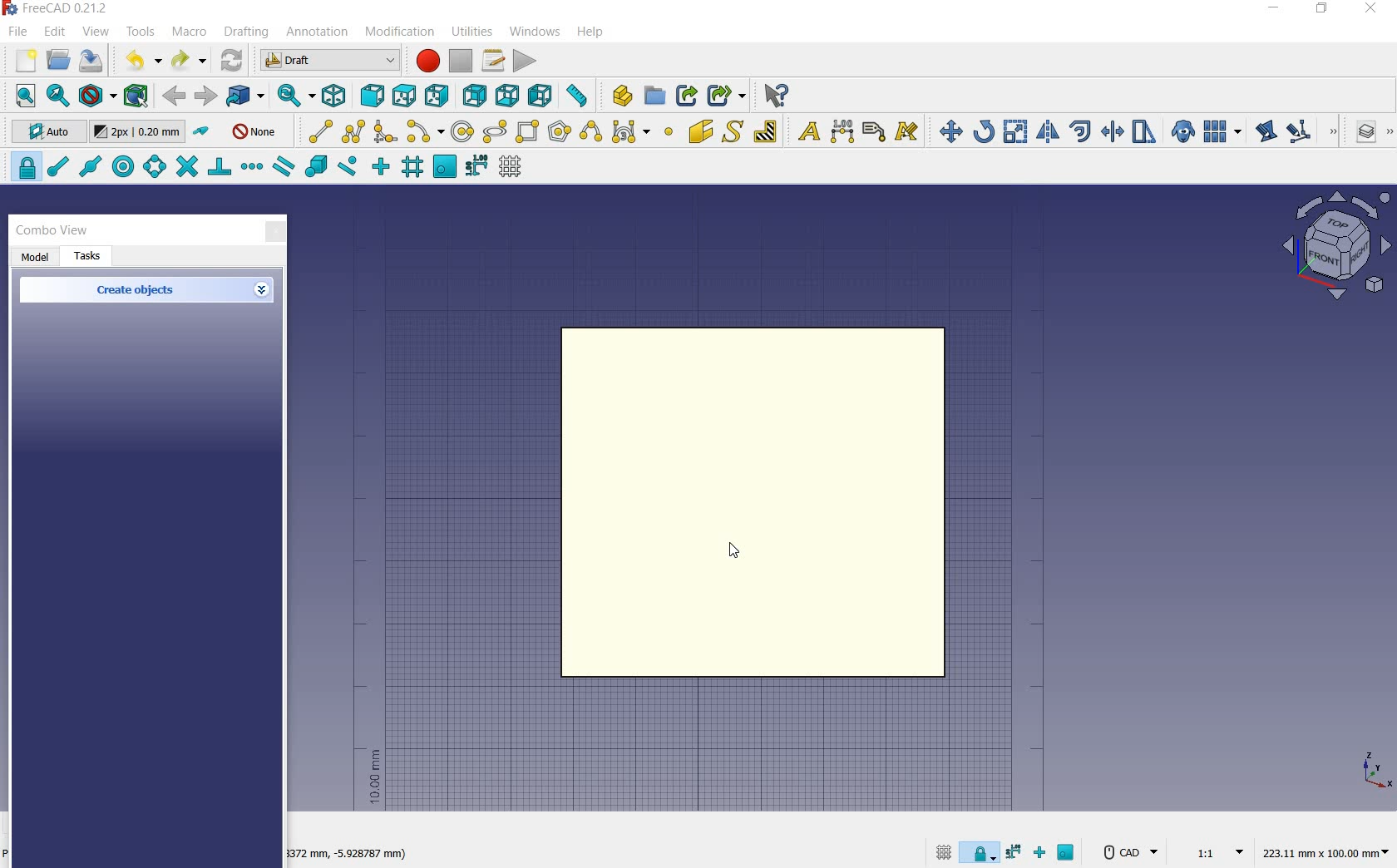  Describe the element at coordinates (205, 96) in the screenshot. I see `forward` at that location.